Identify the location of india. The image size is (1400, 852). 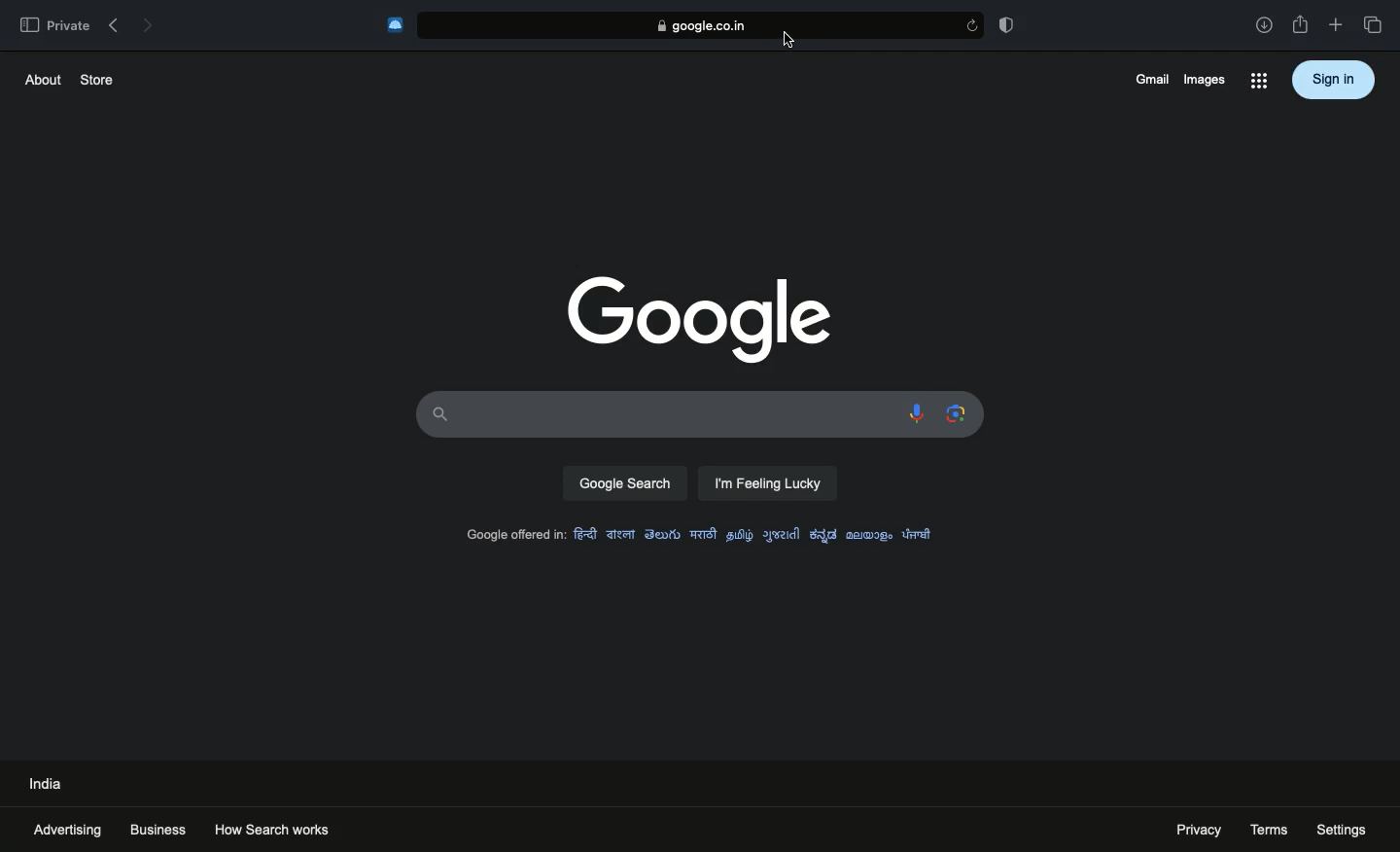
(48, 782).